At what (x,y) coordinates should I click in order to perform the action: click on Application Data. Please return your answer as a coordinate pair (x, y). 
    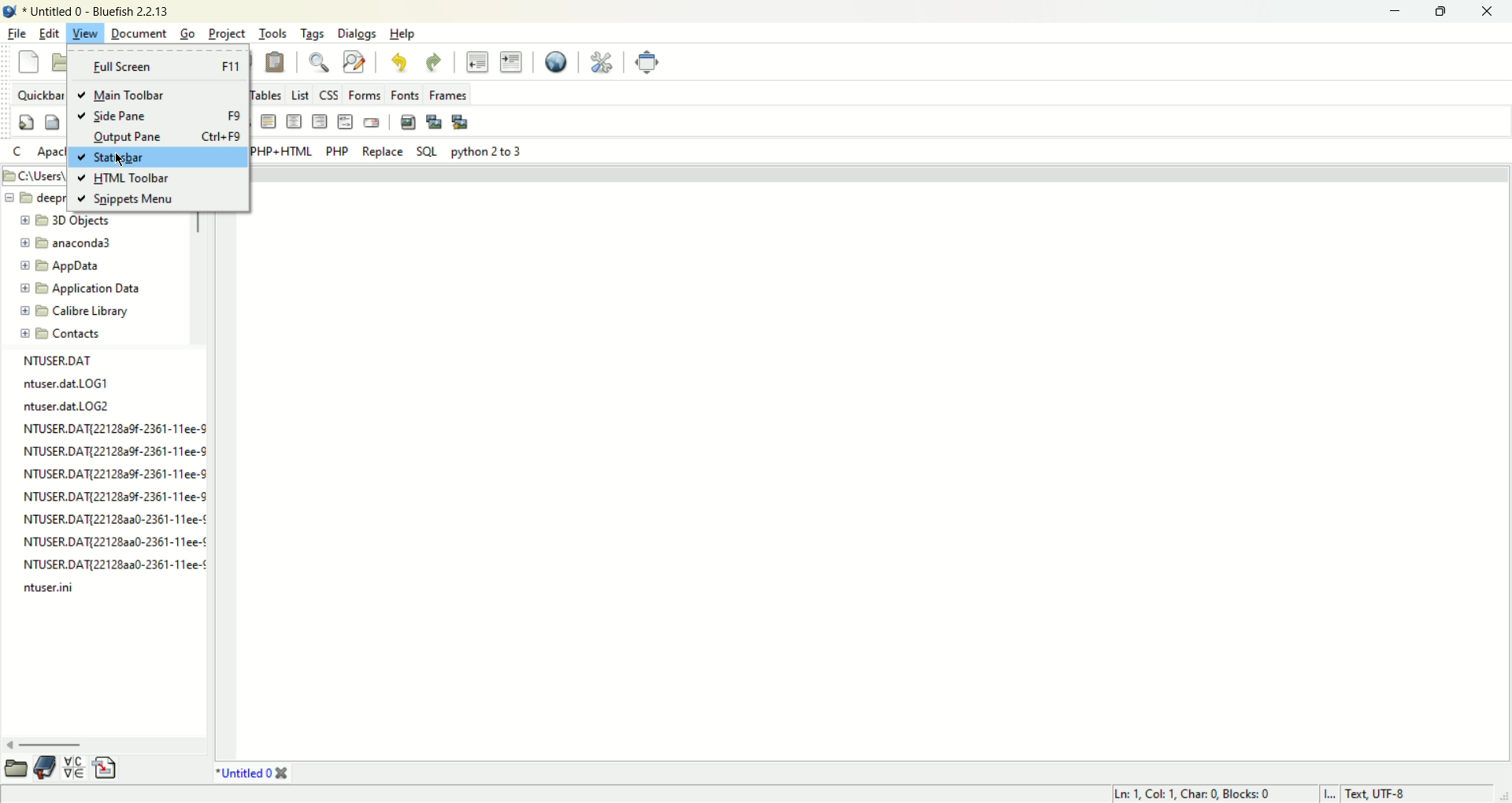
    Looking at the image, I should click on (80, 288).